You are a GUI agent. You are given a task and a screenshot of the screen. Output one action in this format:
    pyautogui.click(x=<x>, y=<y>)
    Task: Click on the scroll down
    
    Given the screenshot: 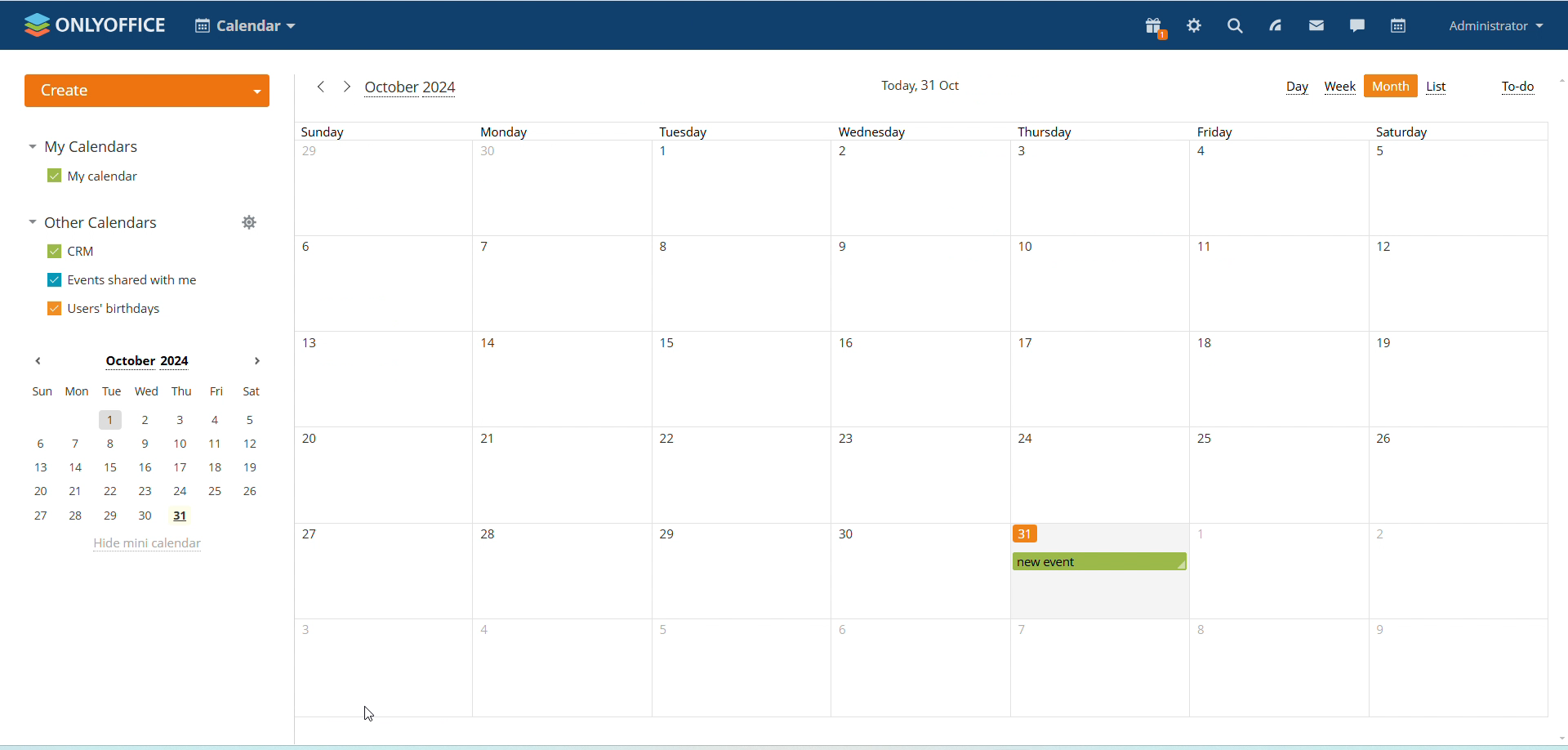 What is the action you would take?
    pyautogui.click(x=1558, y=736)
    